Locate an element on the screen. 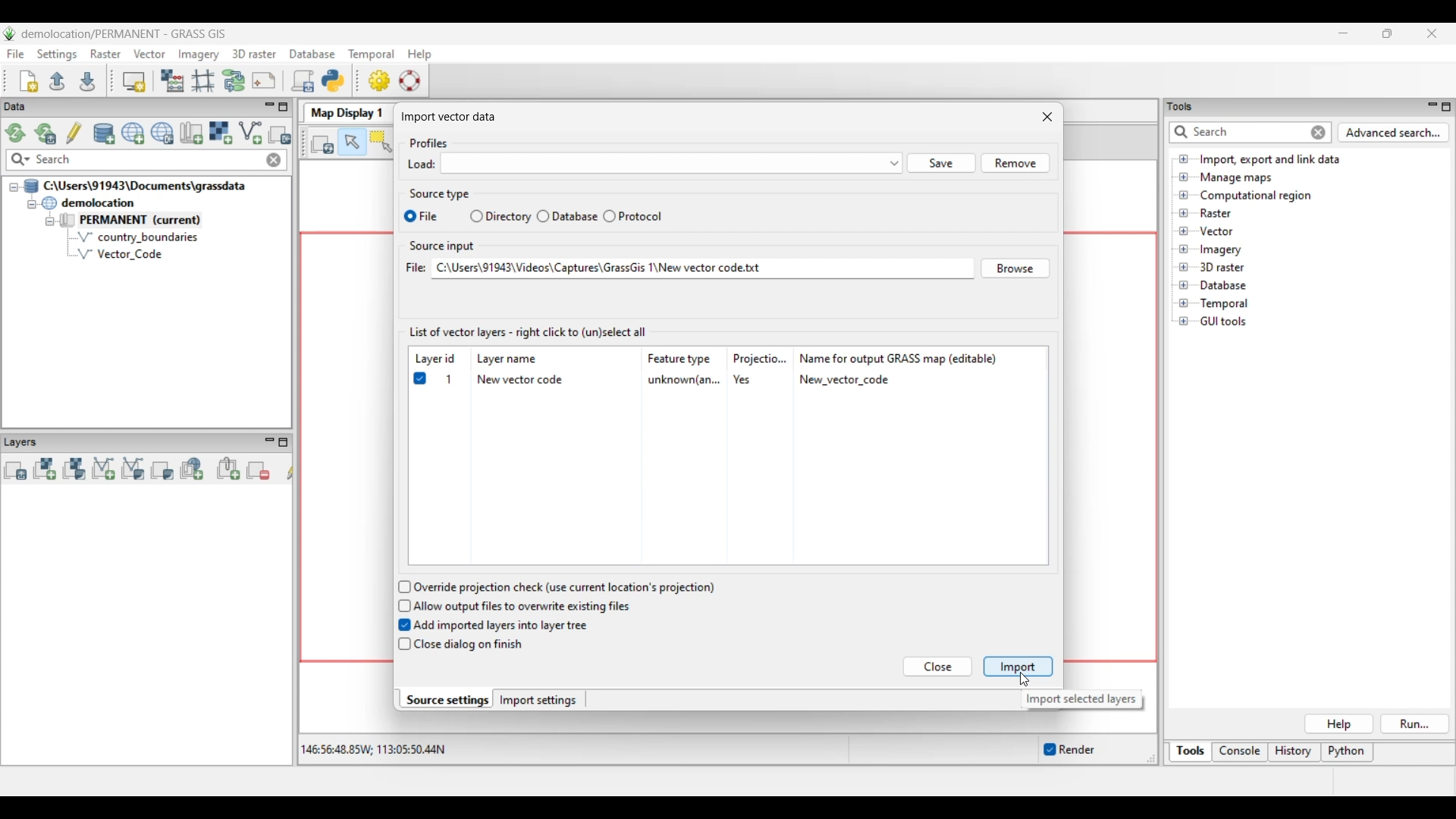 The width and height of the screenshot is (1456, 819). Add various raster map layers is located at coordinates (74, 469).